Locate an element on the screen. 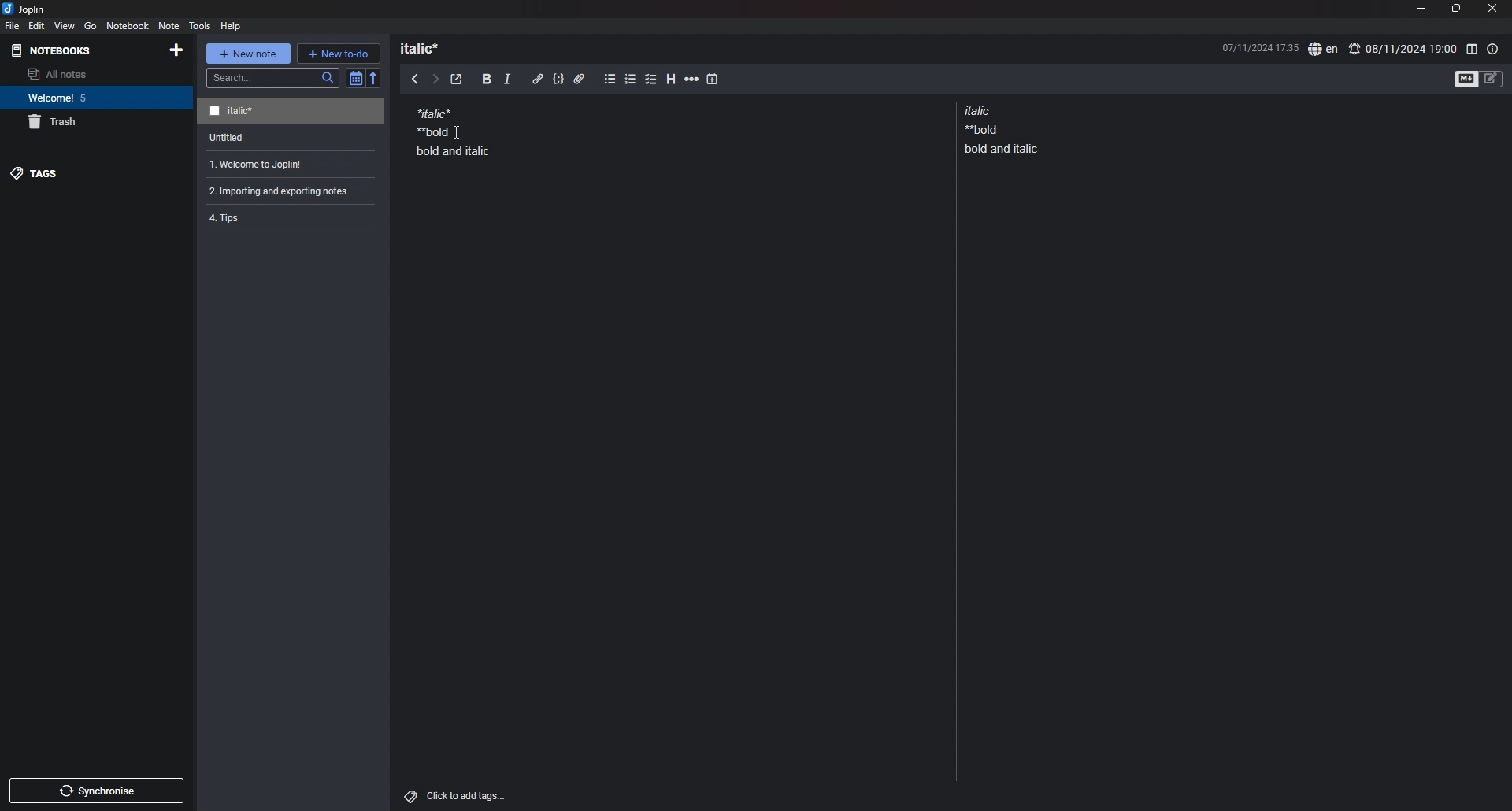  bold is located at coordinates (487, 80).